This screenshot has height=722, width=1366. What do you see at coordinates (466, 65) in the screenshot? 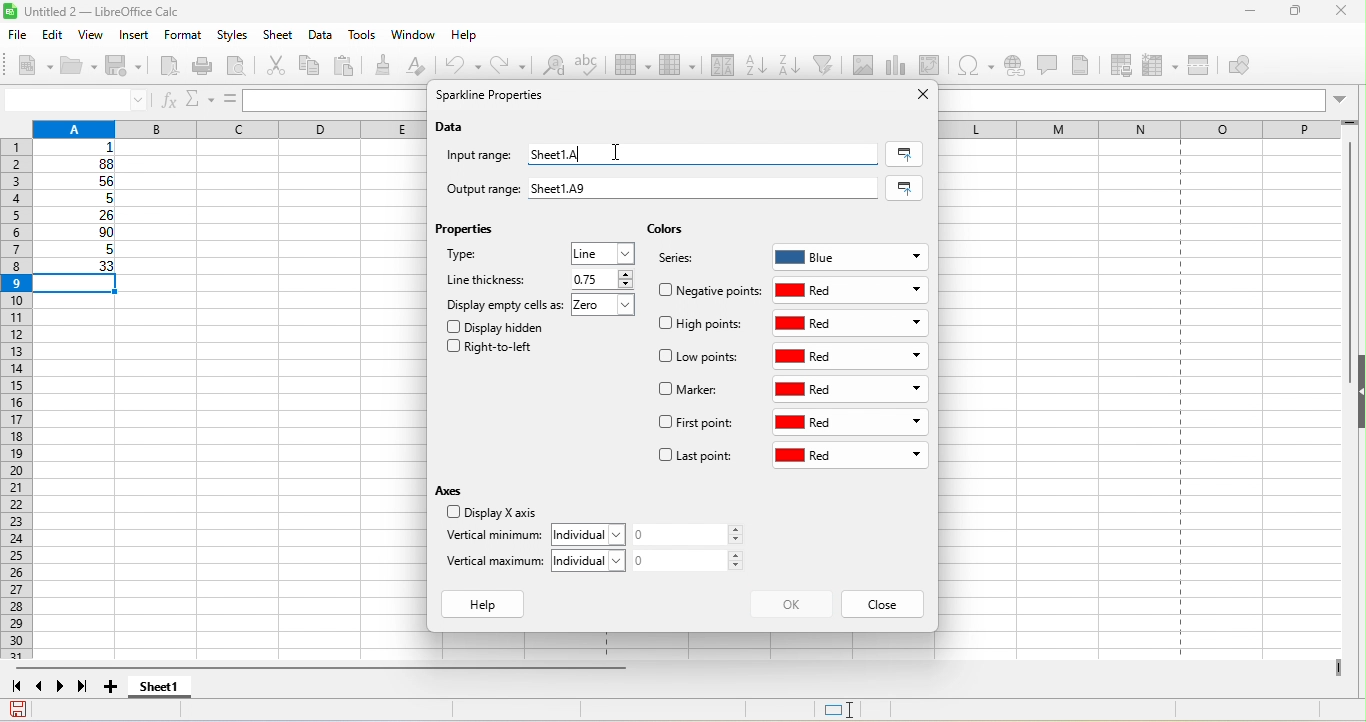
I see `undo` at bounding box center [466, 65].